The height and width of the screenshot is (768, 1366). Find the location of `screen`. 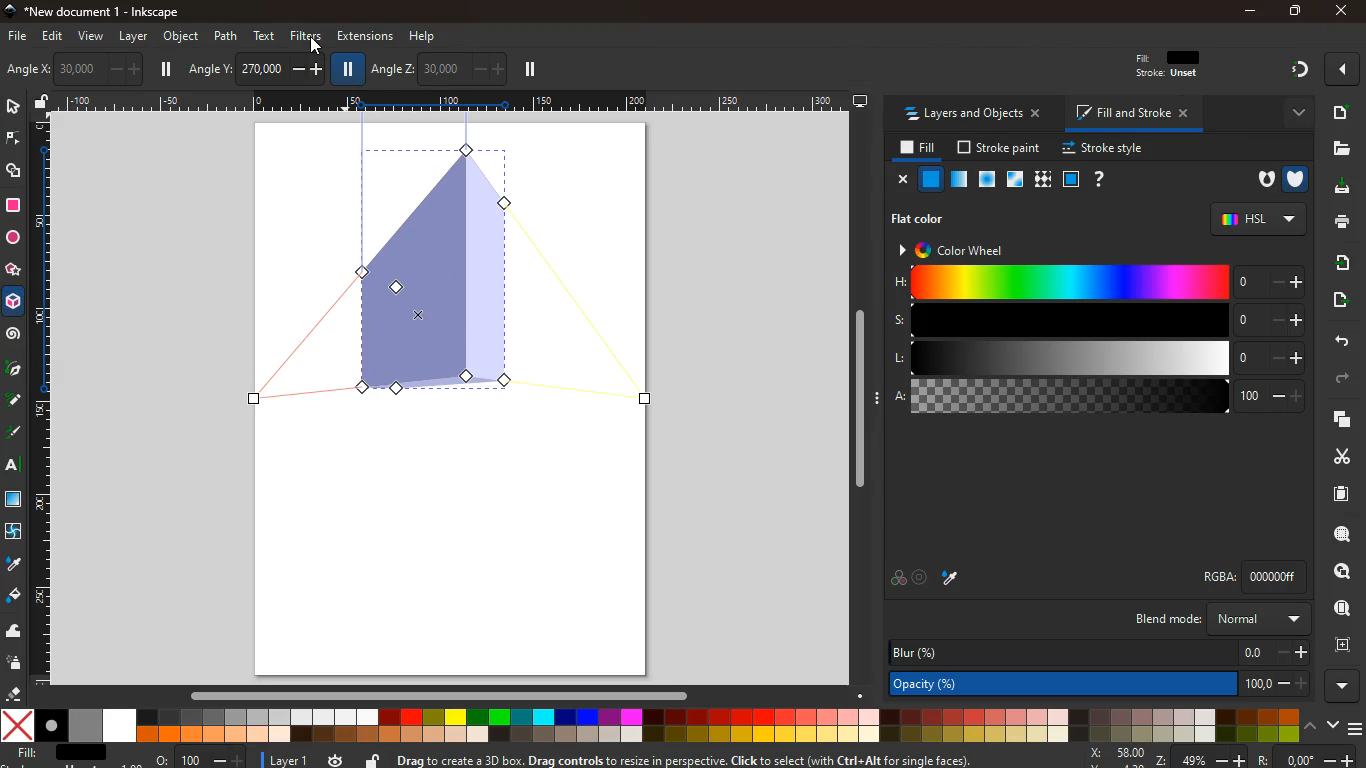

screen is located at coordinates (16, 502).